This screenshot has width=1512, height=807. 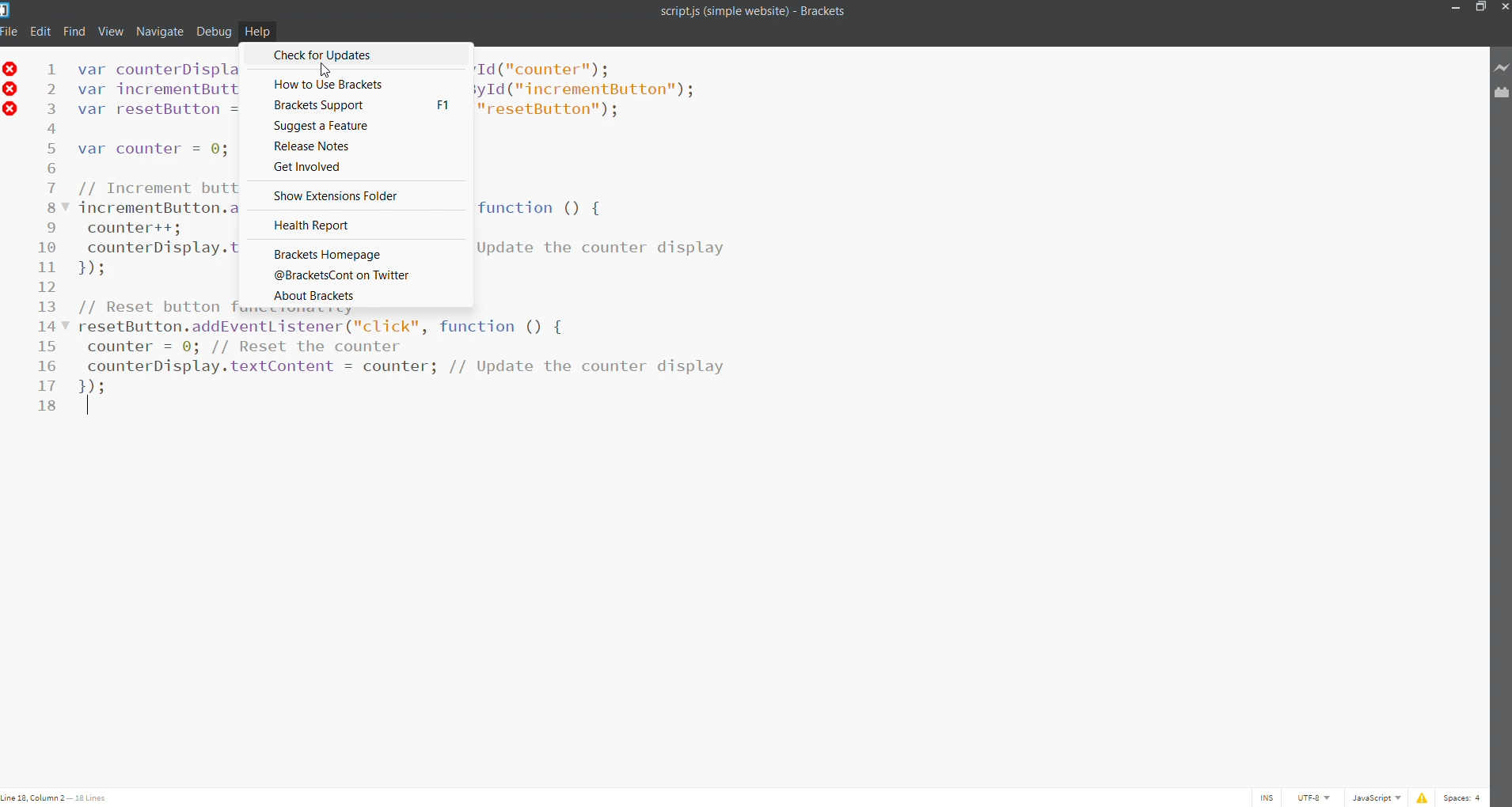 What do you see at coordinates (352, 274) in the screenshot?
I see `twitter link ` at bounding box center [352, 274].